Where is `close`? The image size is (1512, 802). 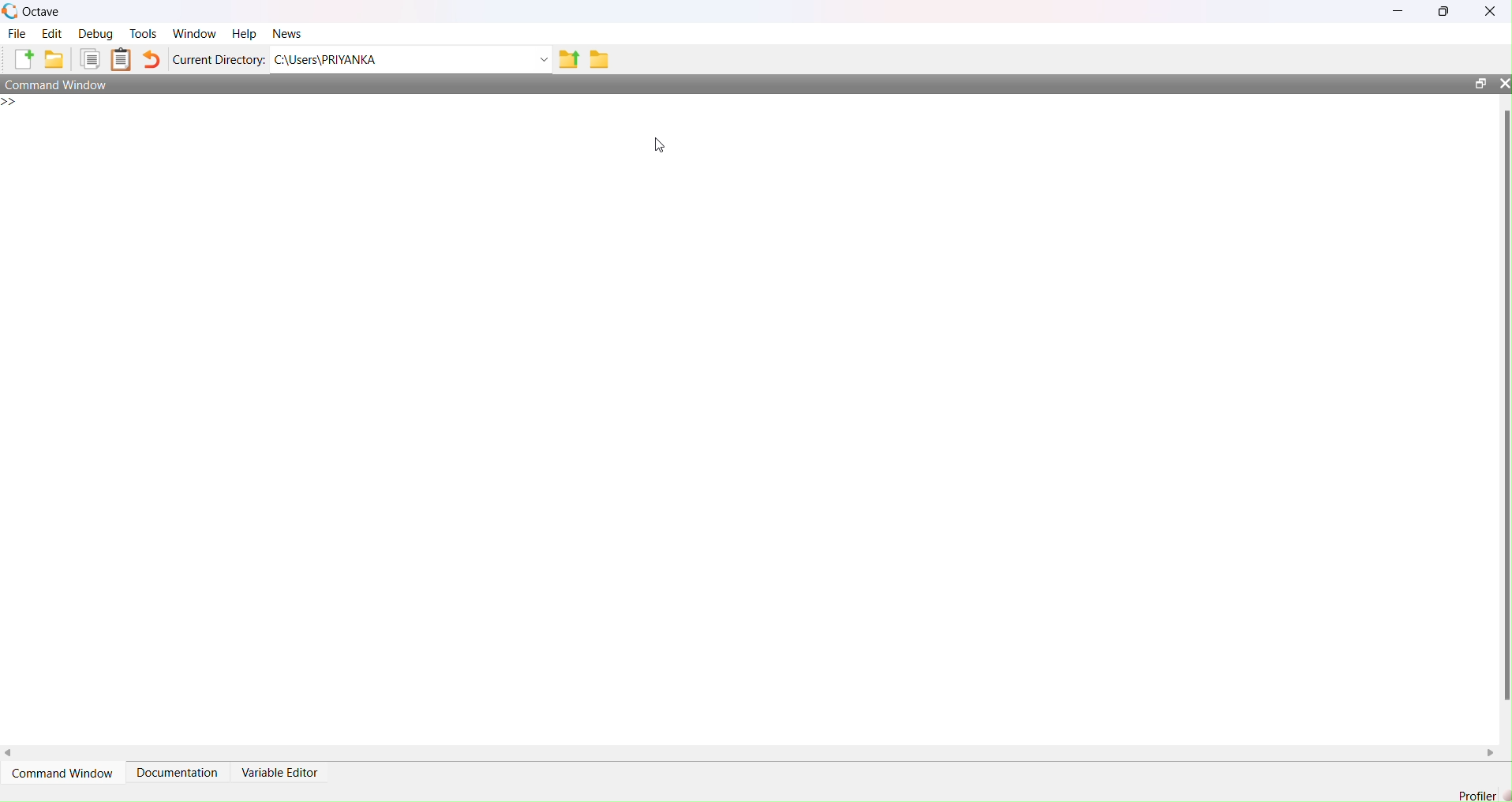
close is located at coordinates (1503, 83).